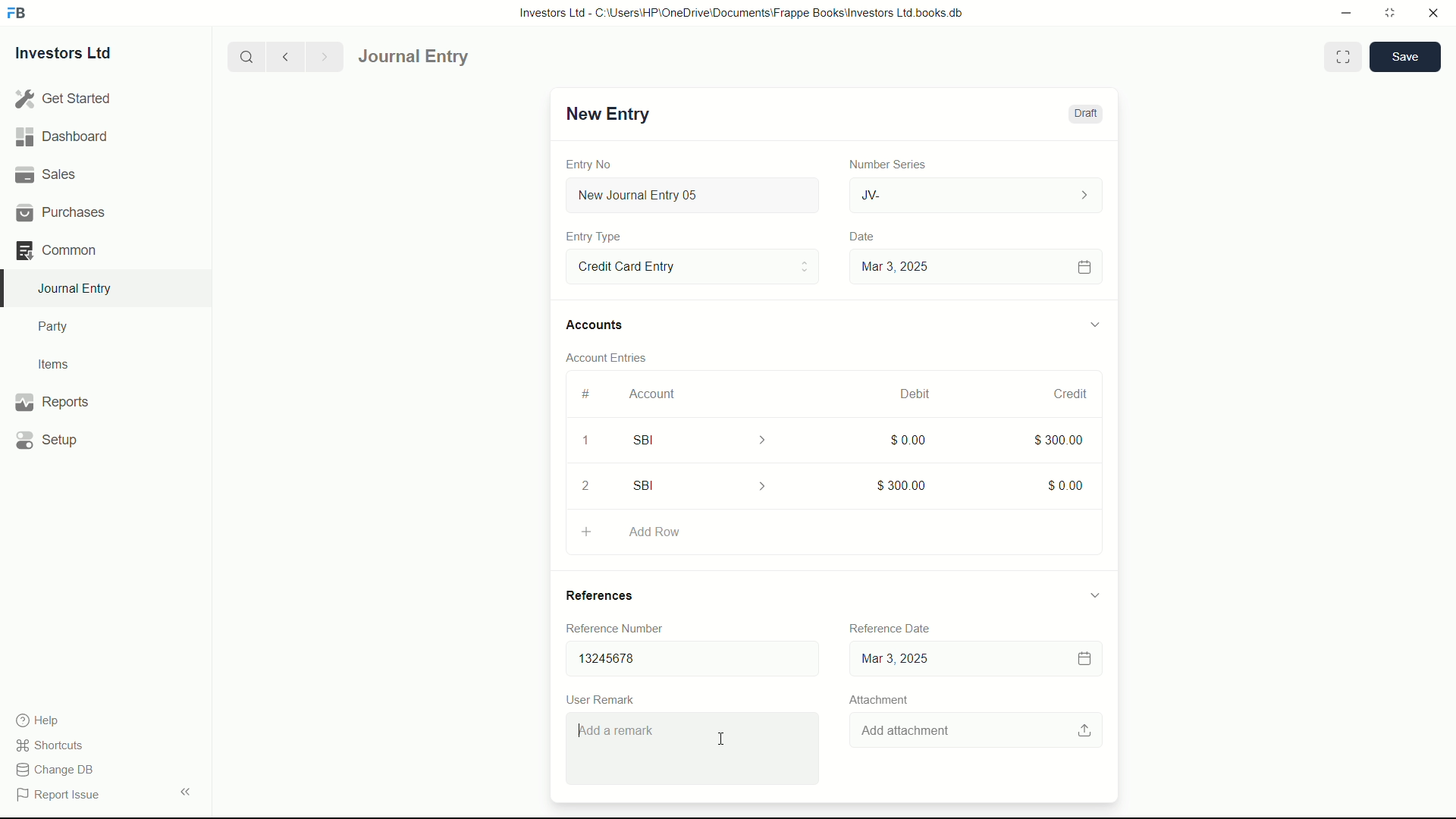 This screenshot has width=1456, height=819. What do you see at coordinates (614, 595) in the screenshot?
I see `References` at bounding box center [614, 595].